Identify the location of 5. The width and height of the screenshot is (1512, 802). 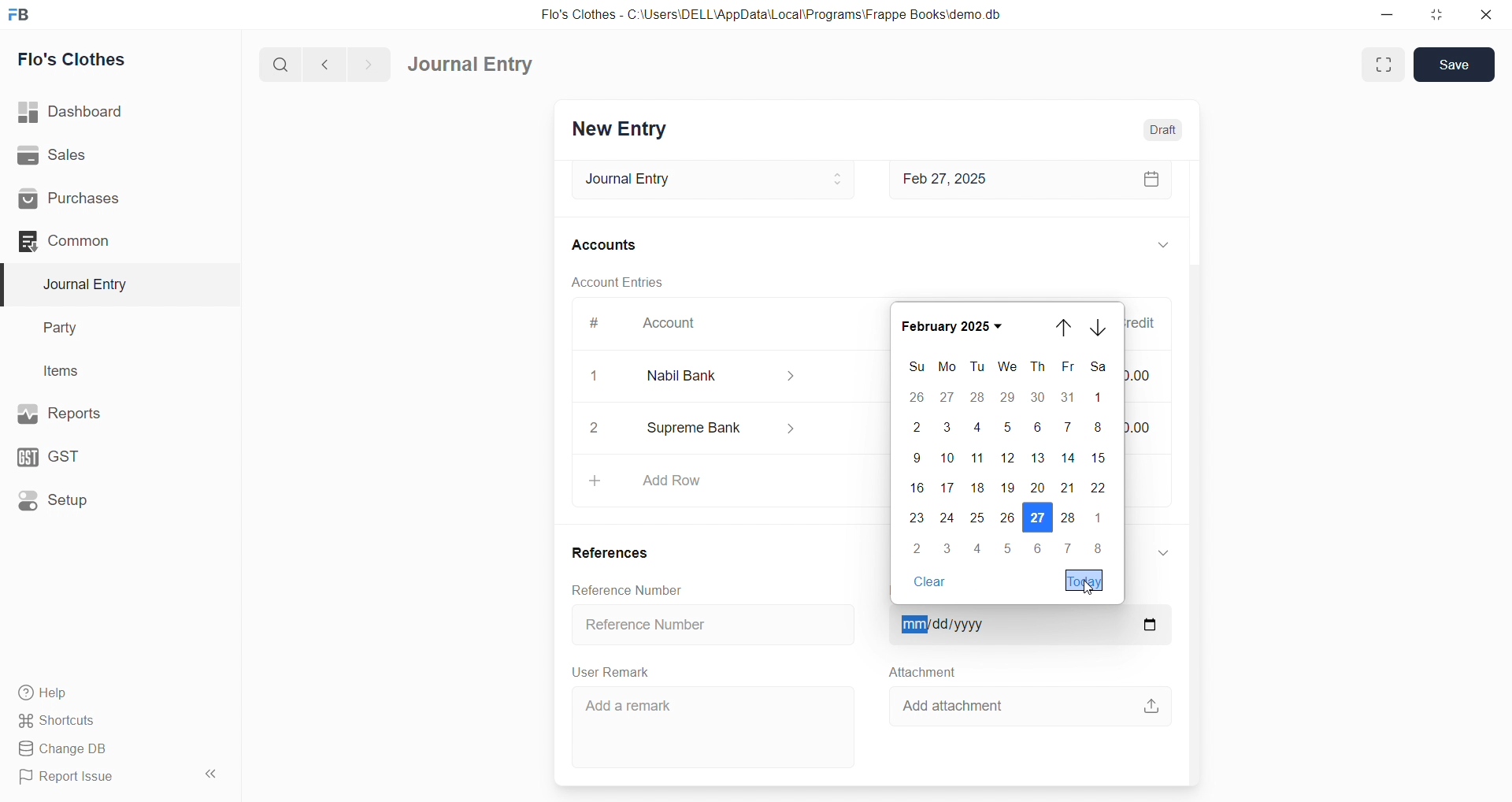
(982, 550).